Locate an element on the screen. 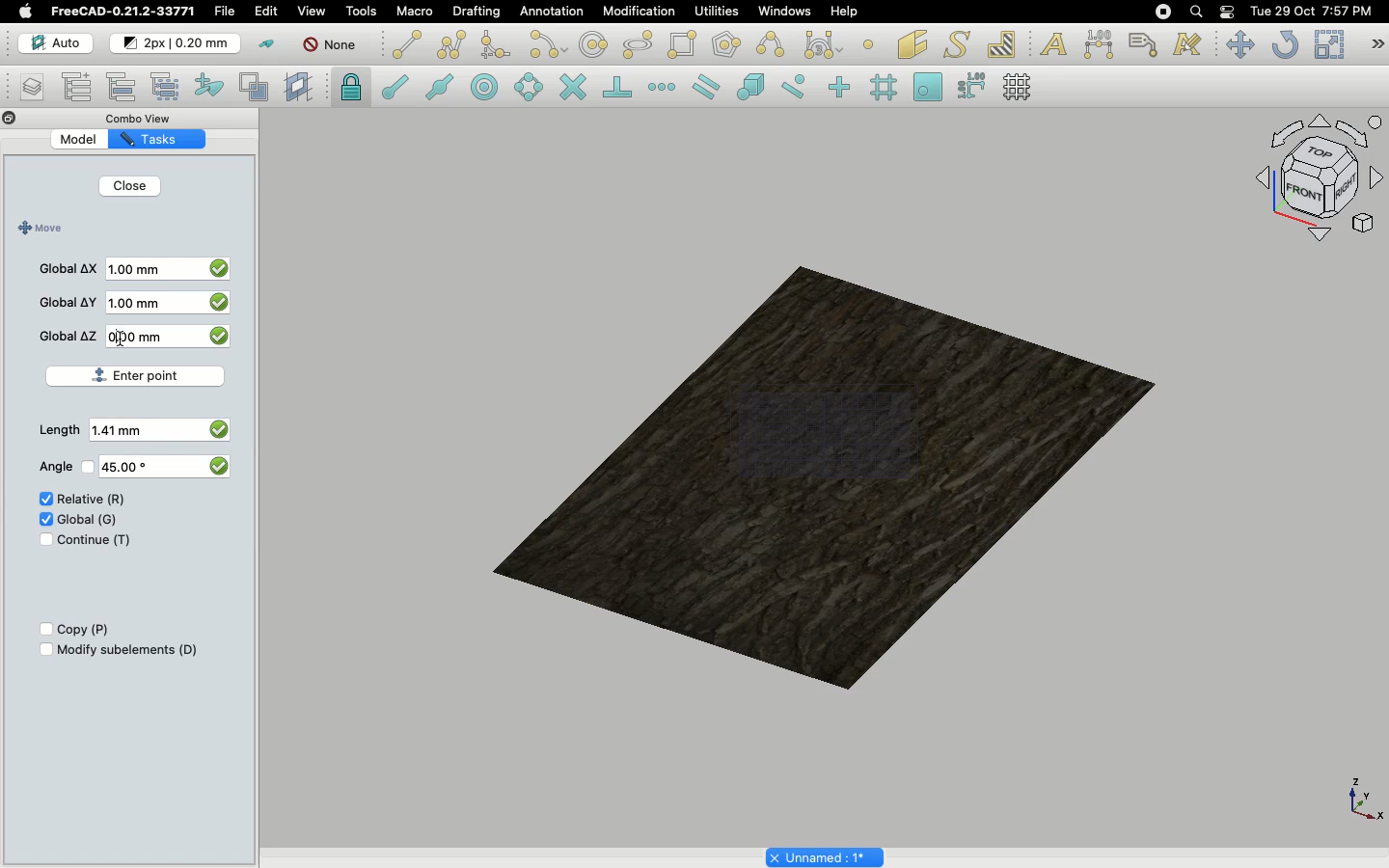 The width and height of the screenshot is (1389, 868). Copy is located at coordinates (85, 630).